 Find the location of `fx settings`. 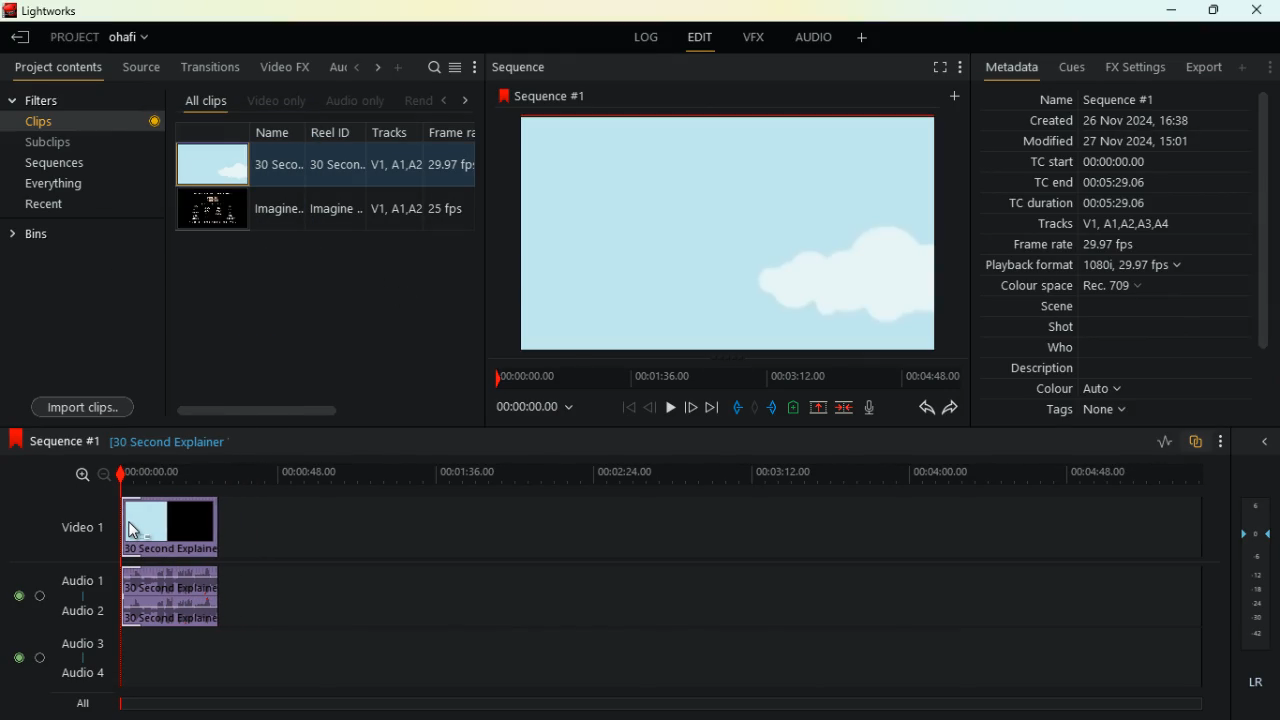

fx settings is located at coordinates (1131, 68).